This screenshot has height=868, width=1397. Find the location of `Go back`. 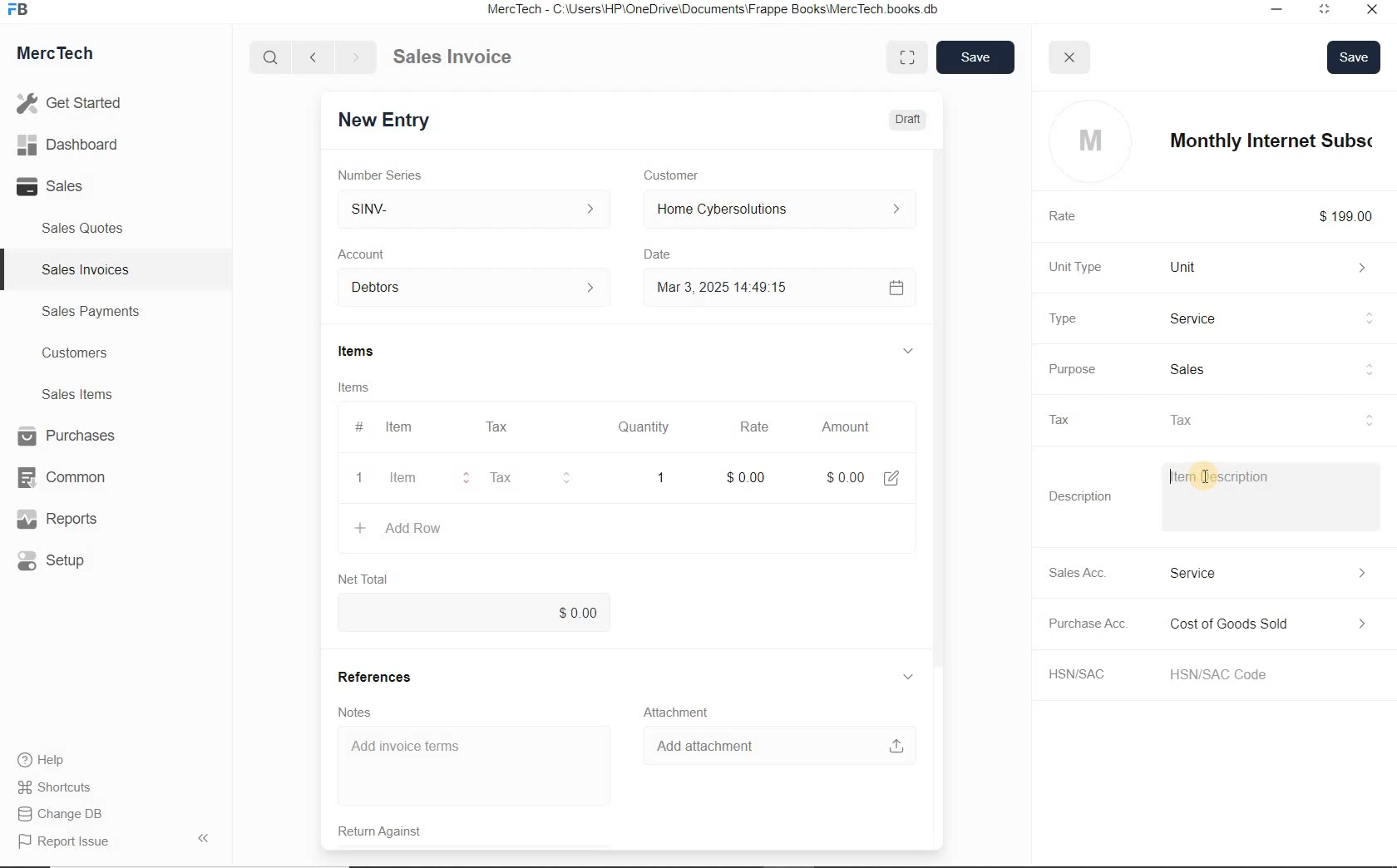

Go back is located at coordinates (315, 57).